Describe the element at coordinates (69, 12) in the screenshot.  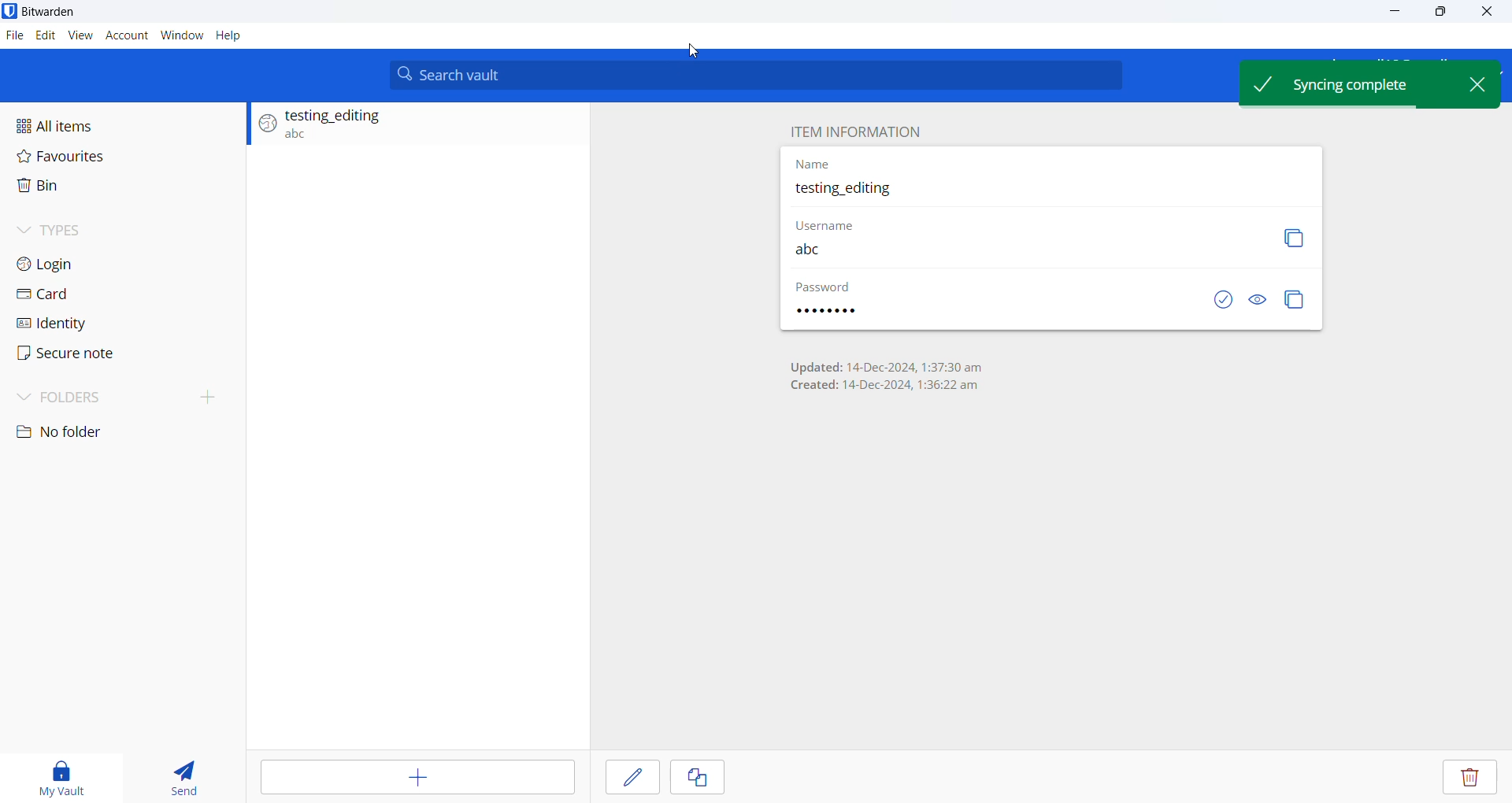
I see `Application name ` at that location.